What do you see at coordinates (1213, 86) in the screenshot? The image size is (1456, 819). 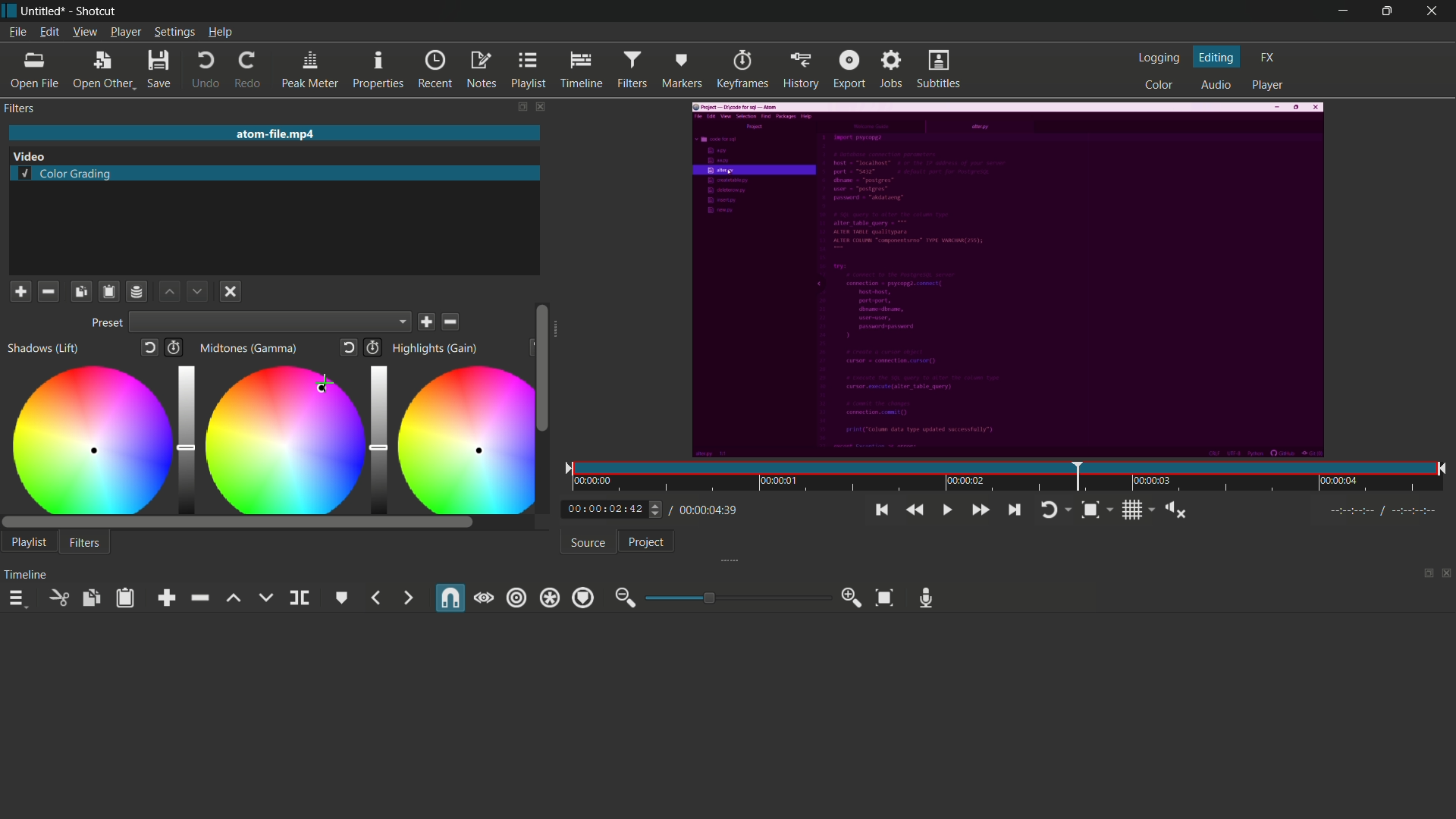 I see `audio` at bounding box center [1213, 86].